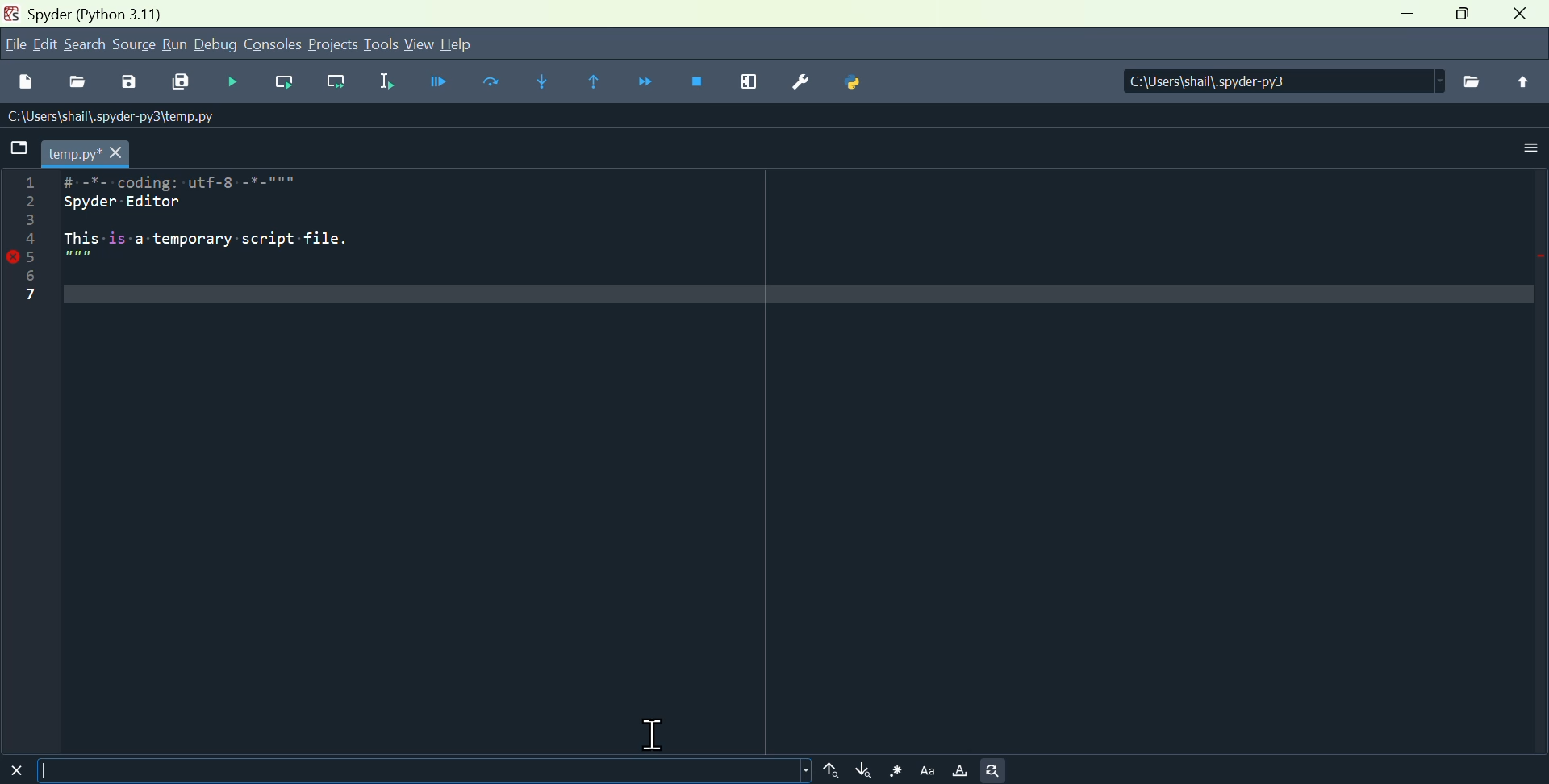  I want to click on Minimize, so click(1407, 15).